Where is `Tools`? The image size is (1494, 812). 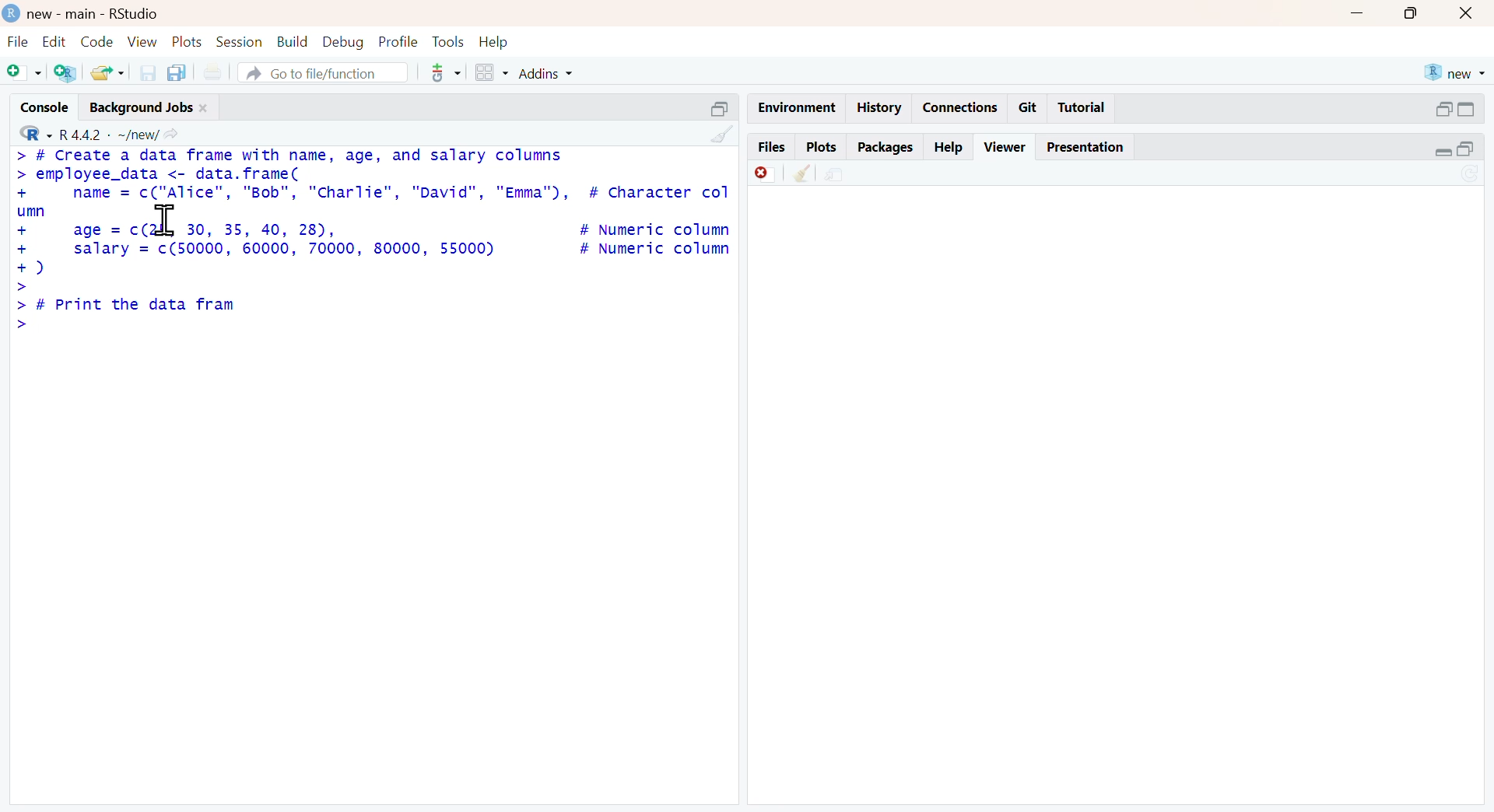
Tools is located at coordinates (445, 40).